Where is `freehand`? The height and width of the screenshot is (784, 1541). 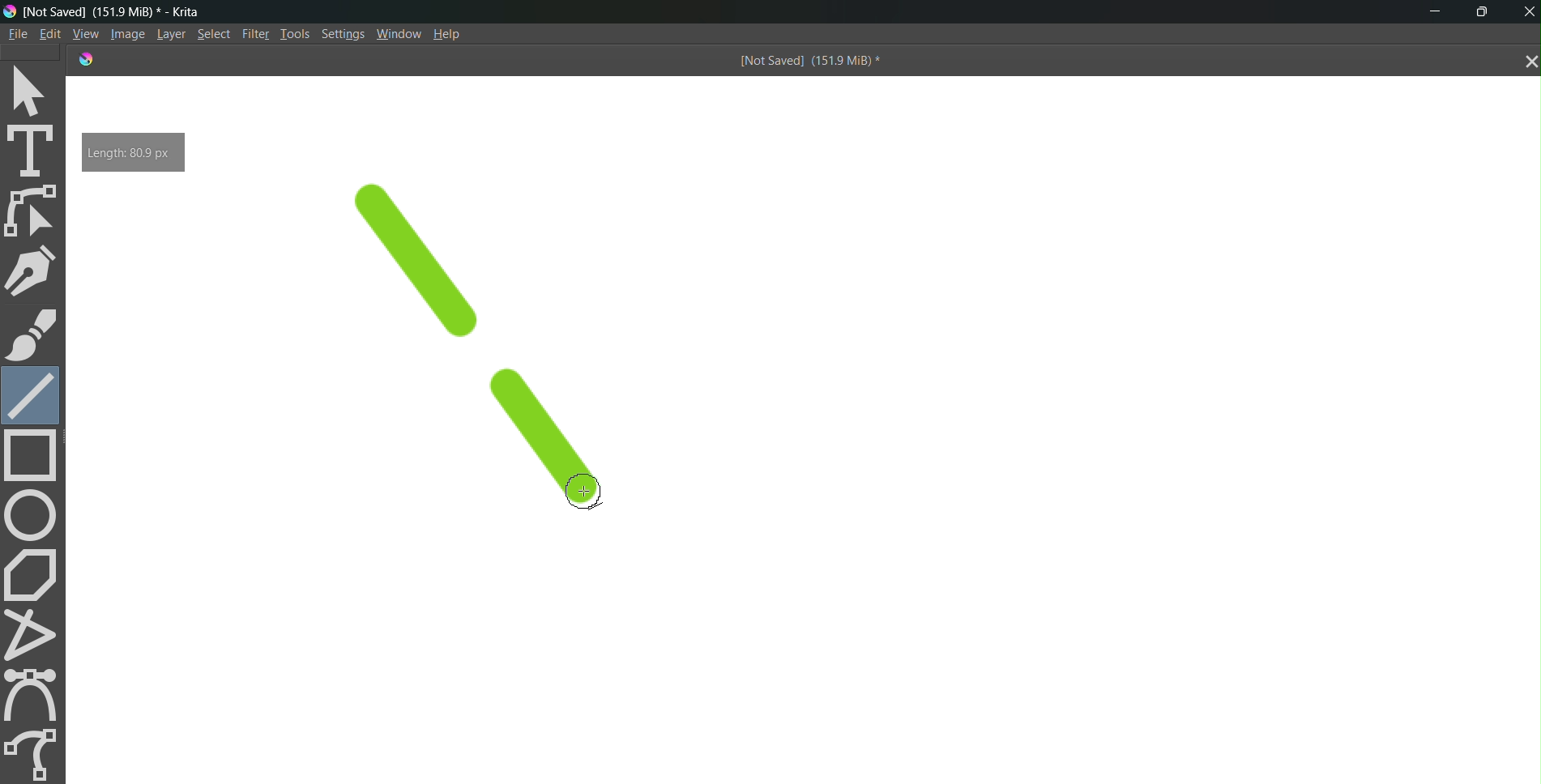 freehand is located at coordinates (34, 752).